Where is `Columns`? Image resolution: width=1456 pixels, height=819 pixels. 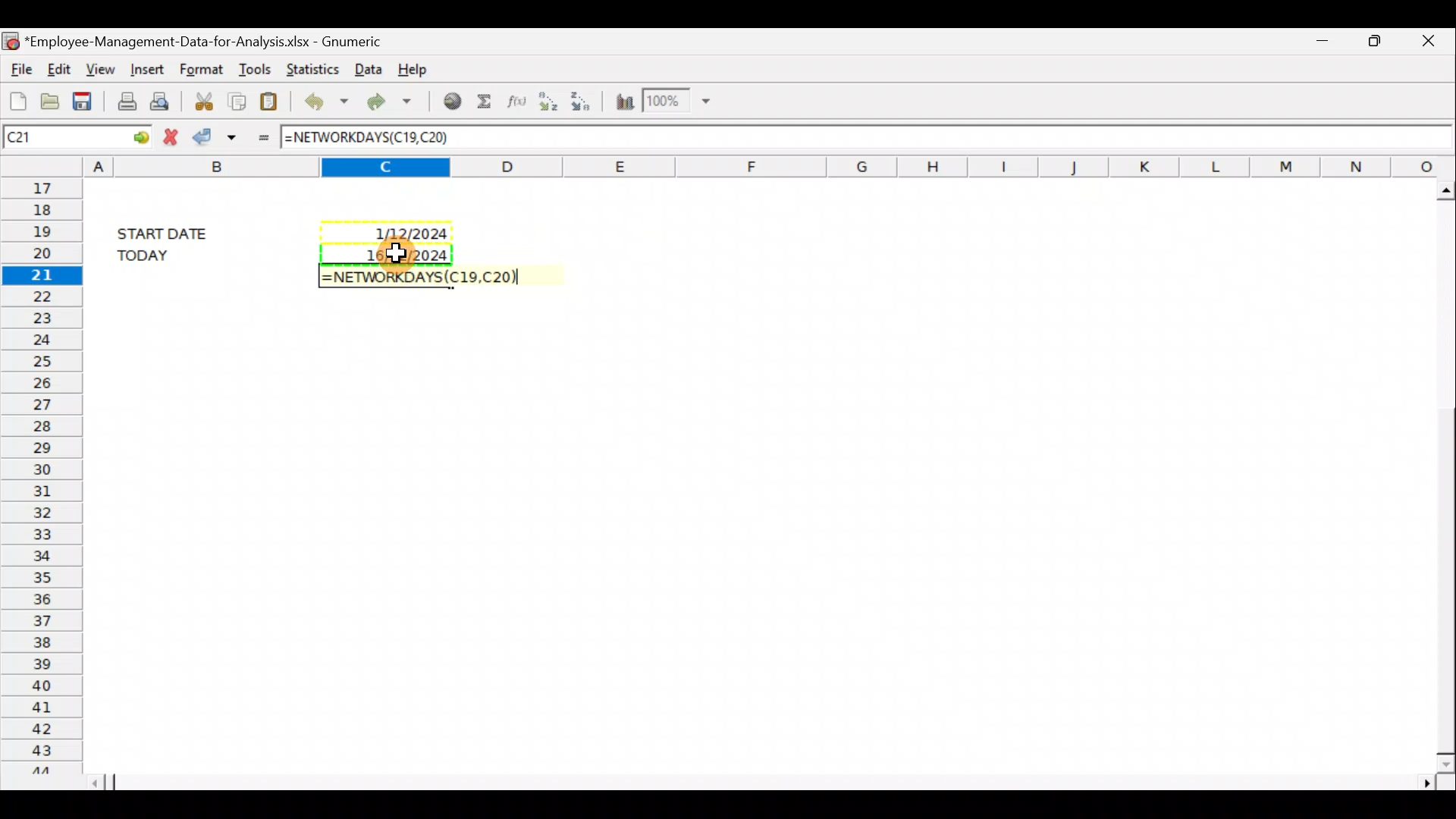 Columns is located at coordinates (770, 165).